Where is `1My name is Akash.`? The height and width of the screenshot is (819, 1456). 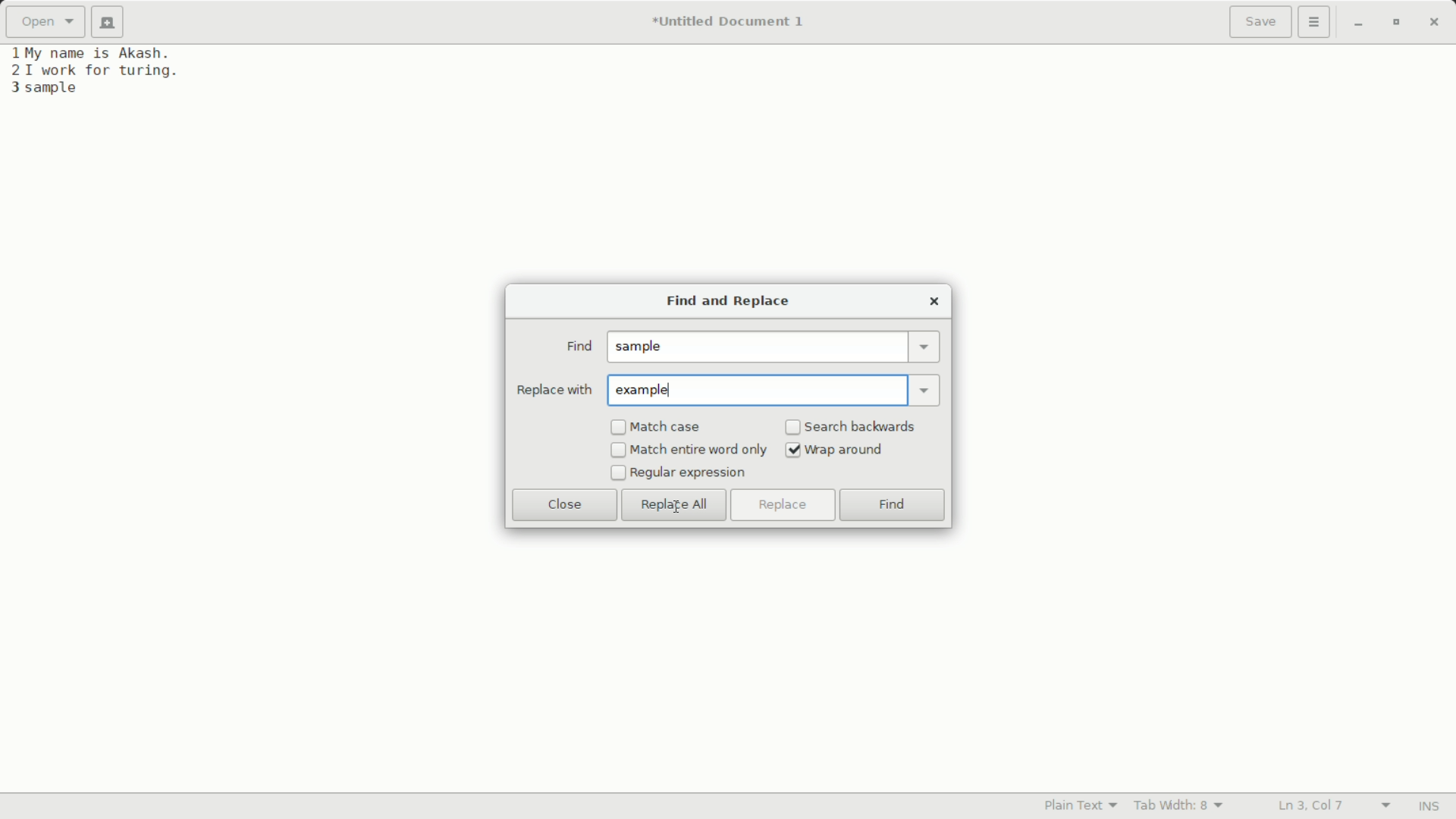
1My name is Akash. is located at coordinates (93, 52).